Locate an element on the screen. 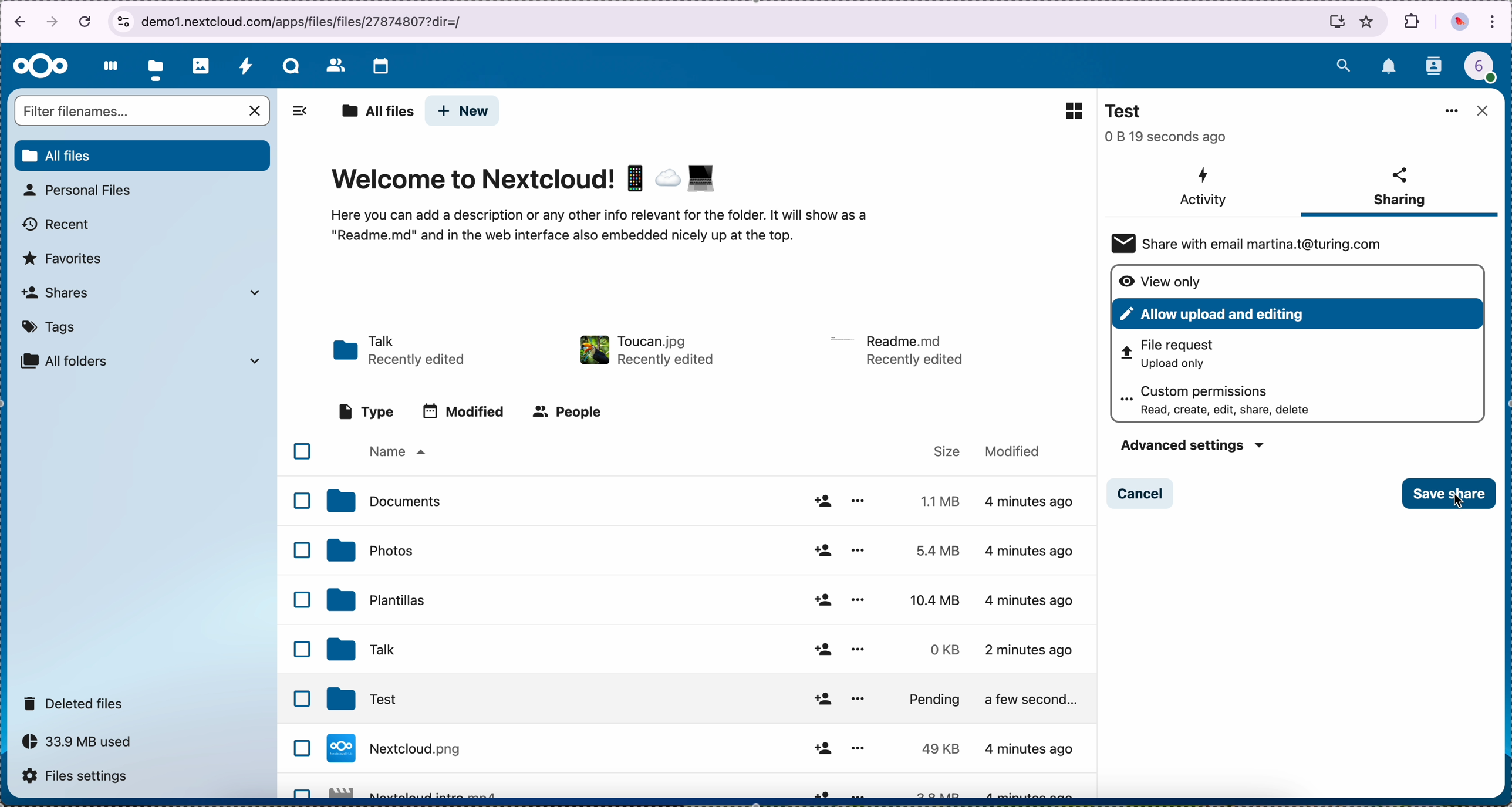 This screenshot has width=1512, height=807. templates is located at coordinates (703, 597).